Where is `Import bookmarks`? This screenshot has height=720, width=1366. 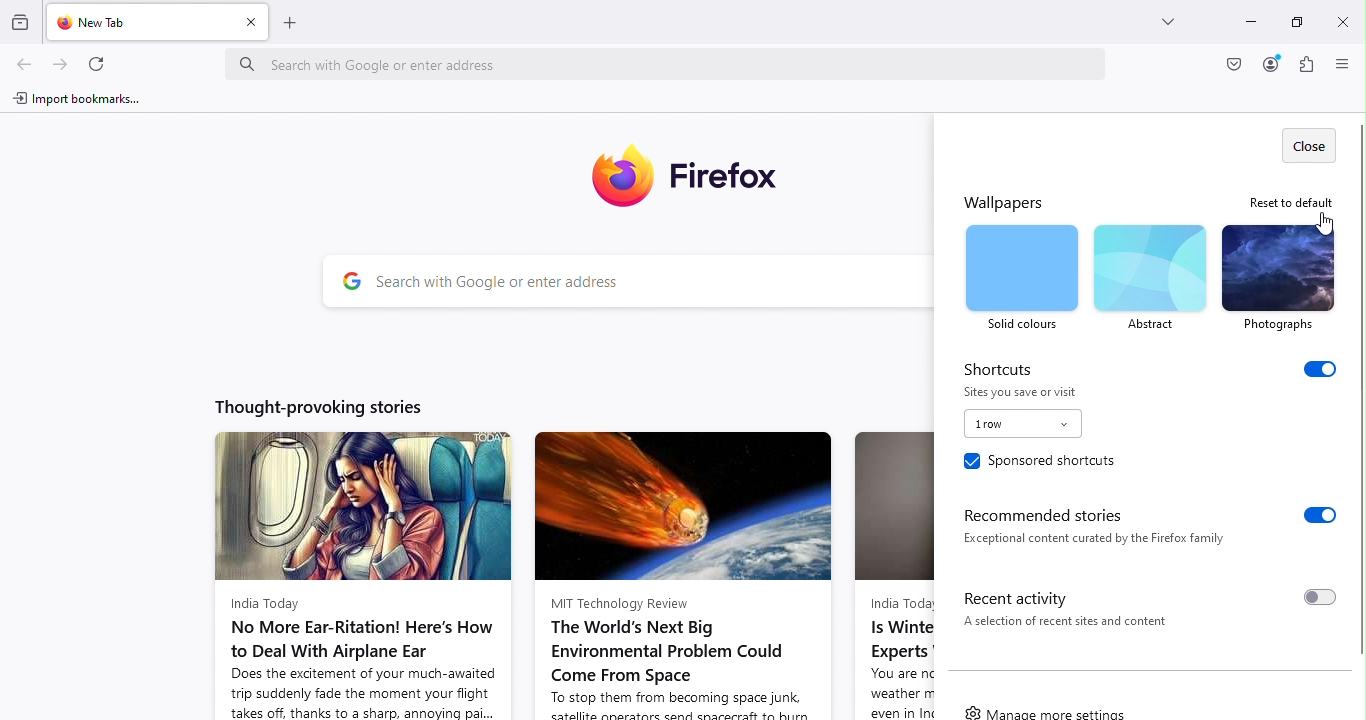 Import bookmarks is located at coordinates (84, 100).